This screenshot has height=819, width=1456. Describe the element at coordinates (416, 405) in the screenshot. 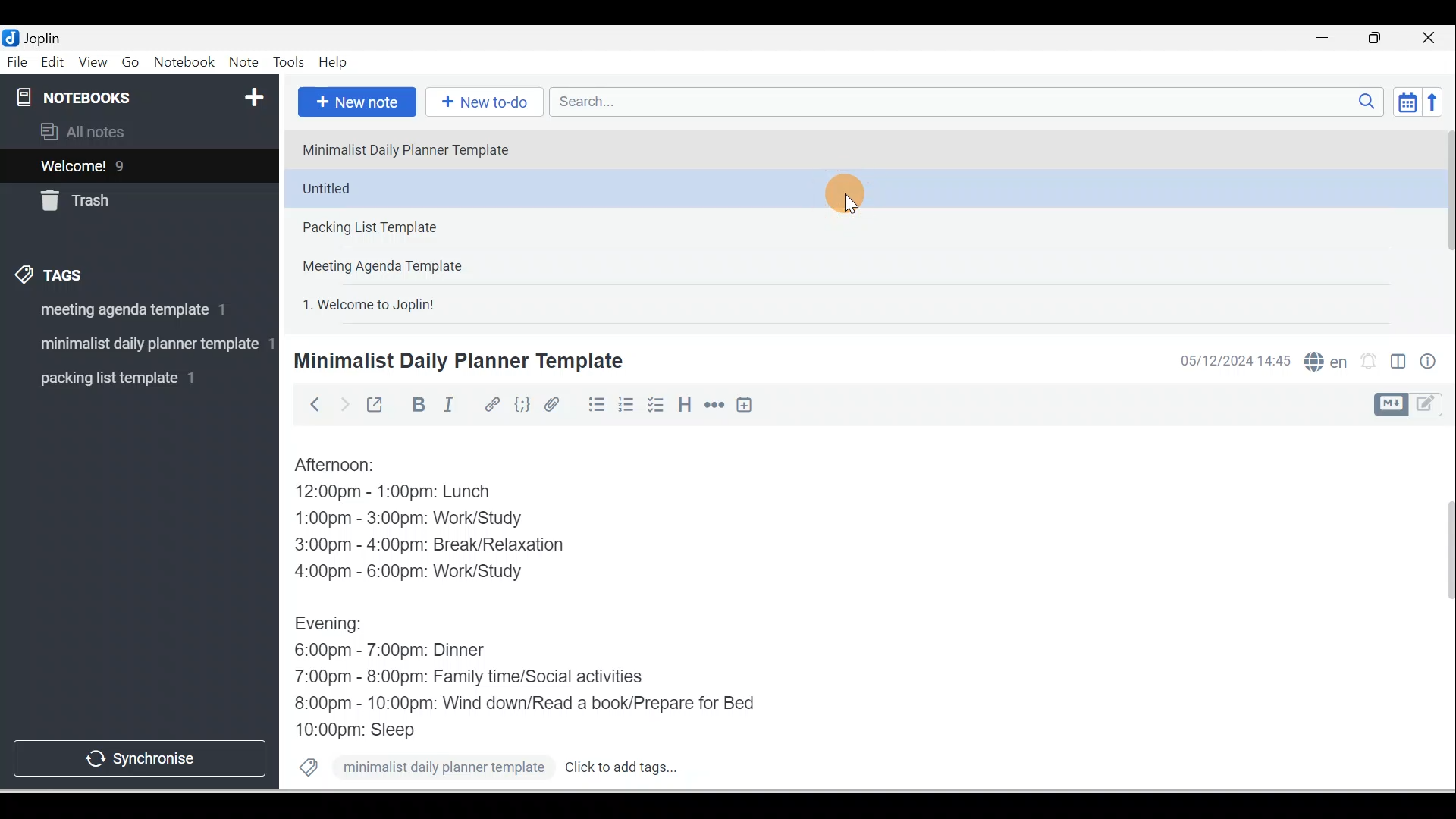

I see `Bold` at that location.